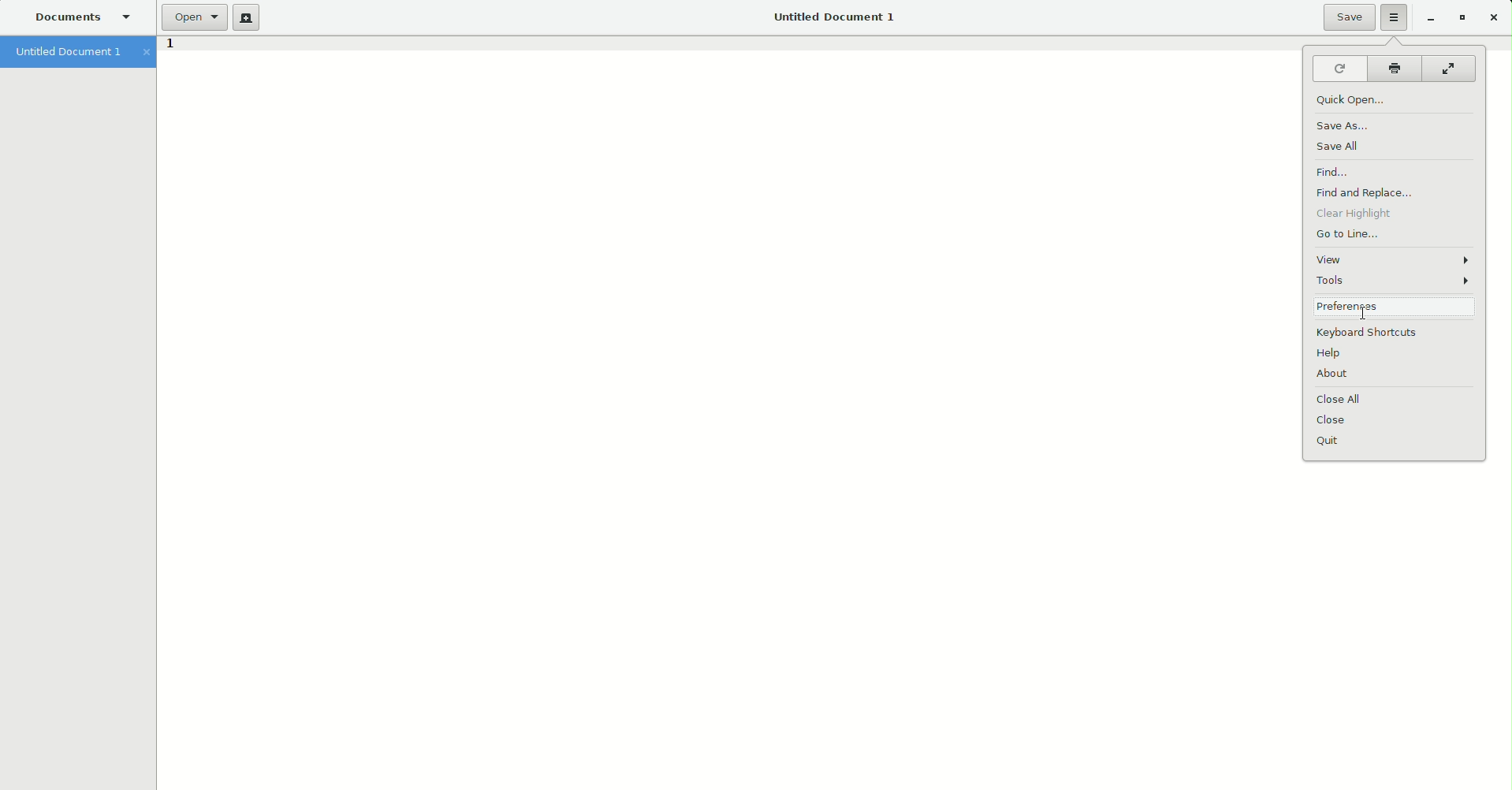 The height and width of the screenshot is (790, 1512). Describe the element at coordinates (1350, 99) in the screenshot. I see `Quick open` at that location.